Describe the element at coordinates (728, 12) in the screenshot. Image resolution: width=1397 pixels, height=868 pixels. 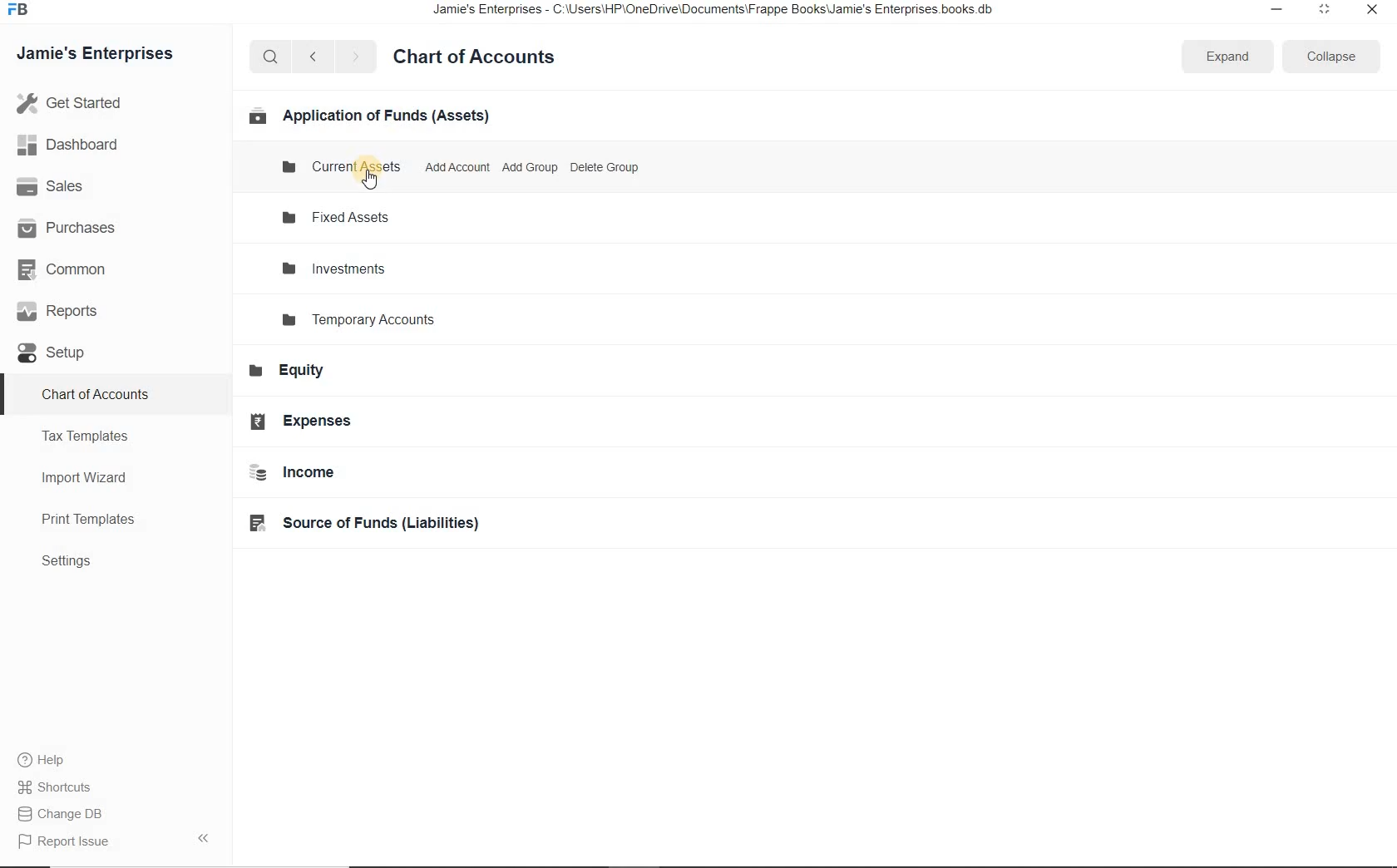
I see `Jamie's Enterprises - C:\Users\HP\OneDrive\Documents\Frappe Books\Jamie's Enterprises books.db` at that location.